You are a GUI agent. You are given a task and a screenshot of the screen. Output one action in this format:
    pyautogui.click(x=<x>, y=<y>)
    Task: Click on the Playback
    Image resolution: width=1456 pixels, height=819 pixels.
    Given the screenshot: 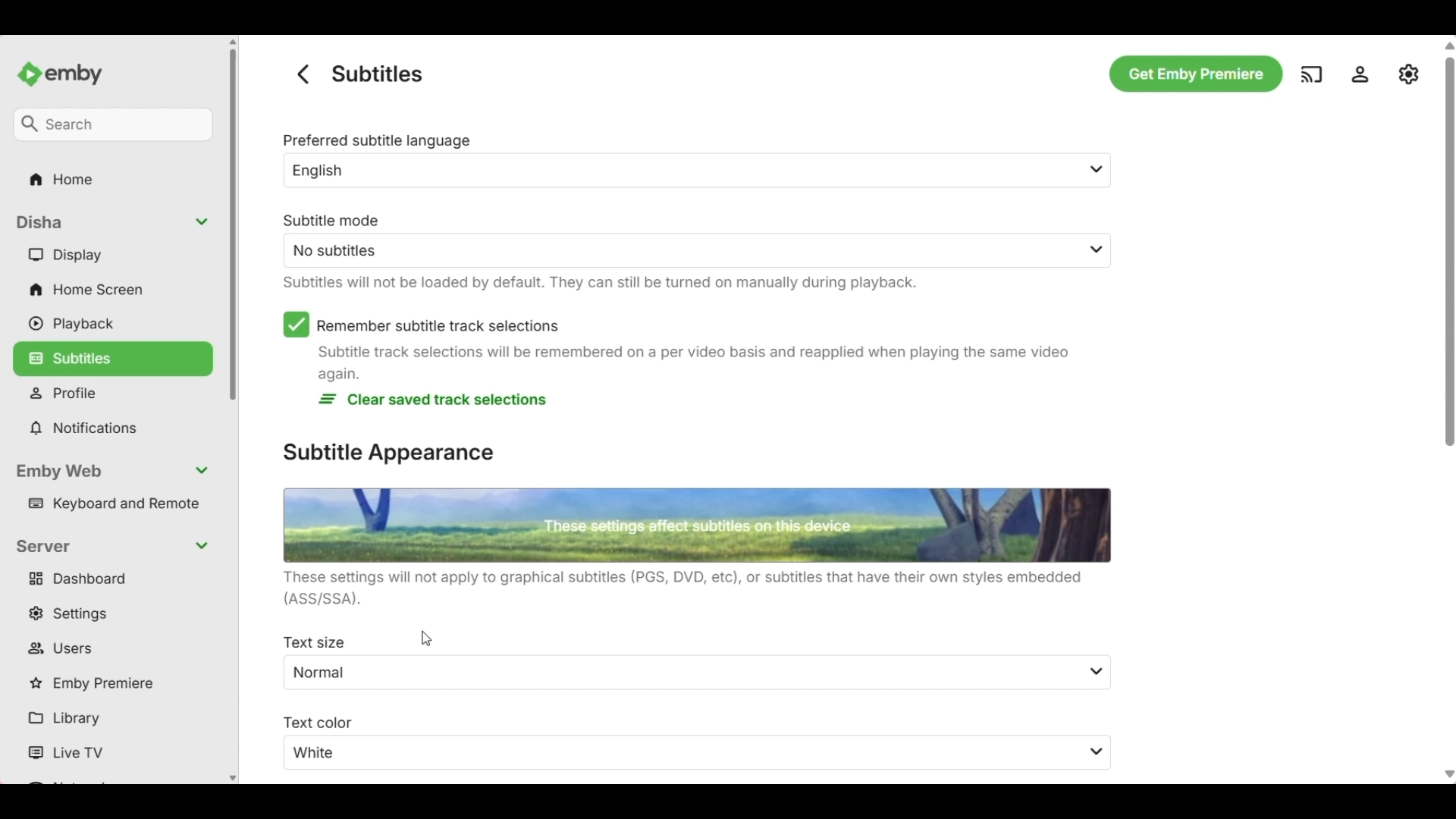 What is the action you would take?
    pyautogui.click(x=115, y=324)
    